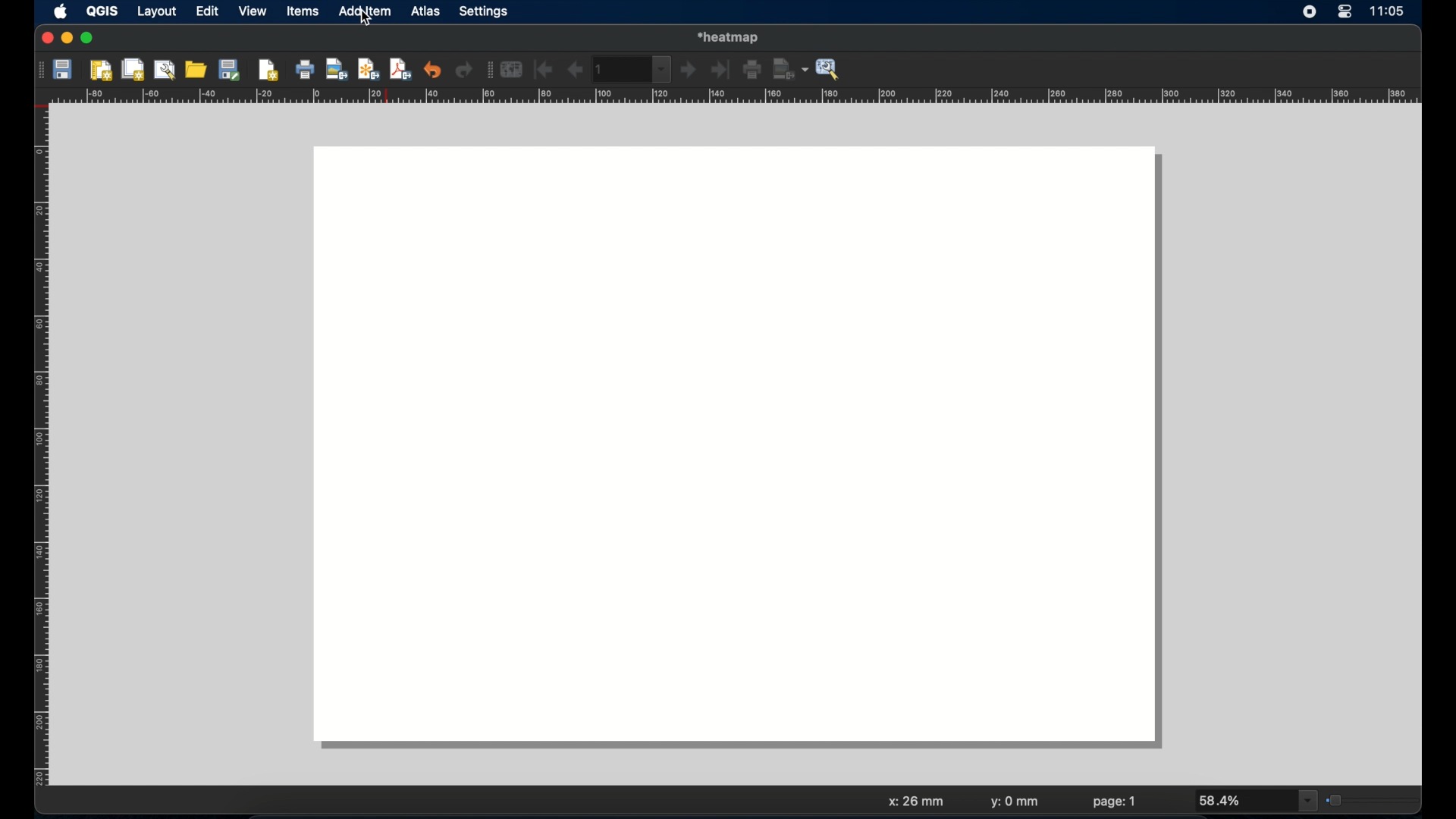  I want to click on saves template, so click(232, 69).